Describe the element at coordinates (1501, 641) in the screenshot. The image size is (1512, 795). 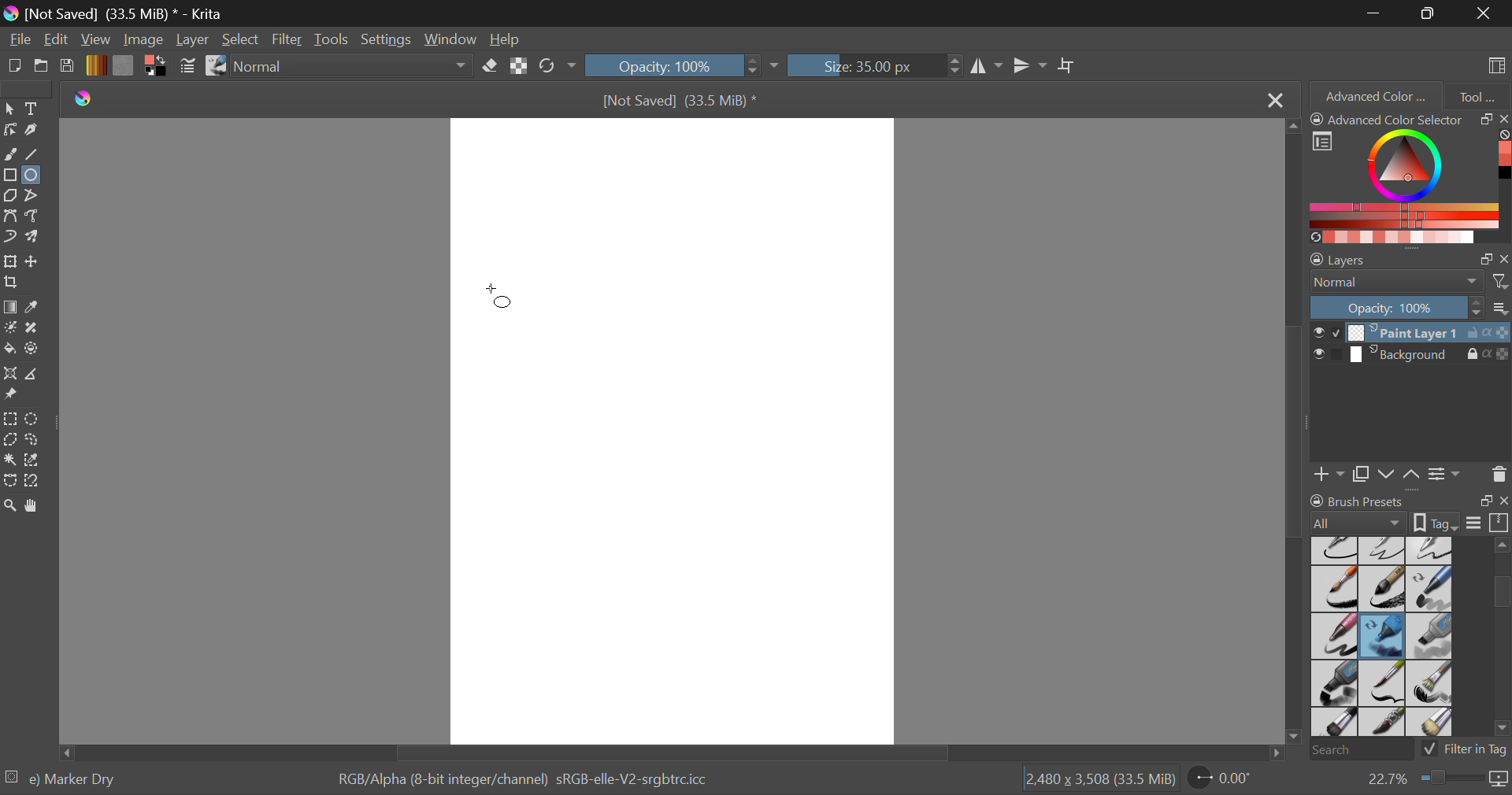
I see `slider` at that location.